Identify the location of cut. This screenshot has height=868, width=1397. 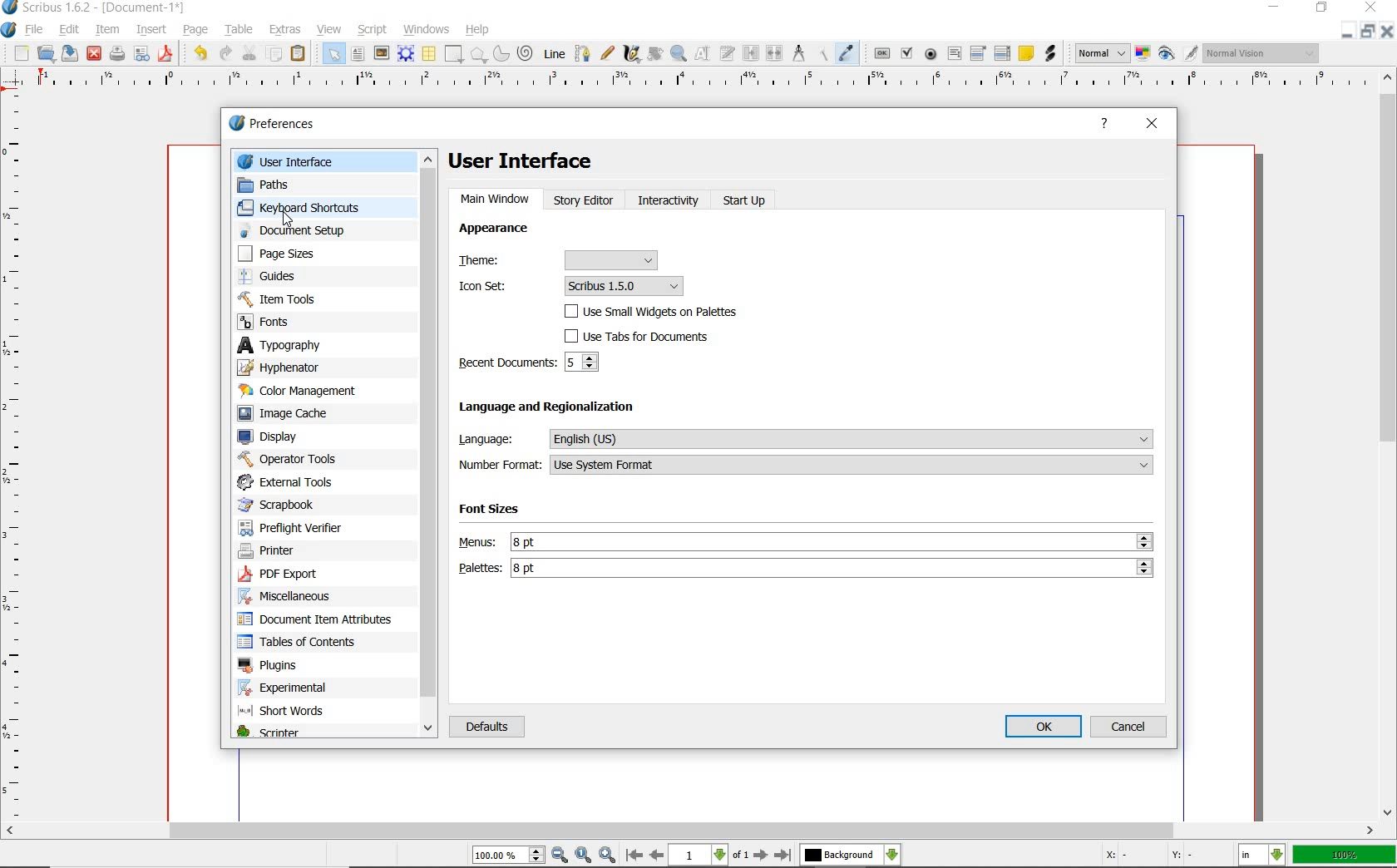
(251, 52).